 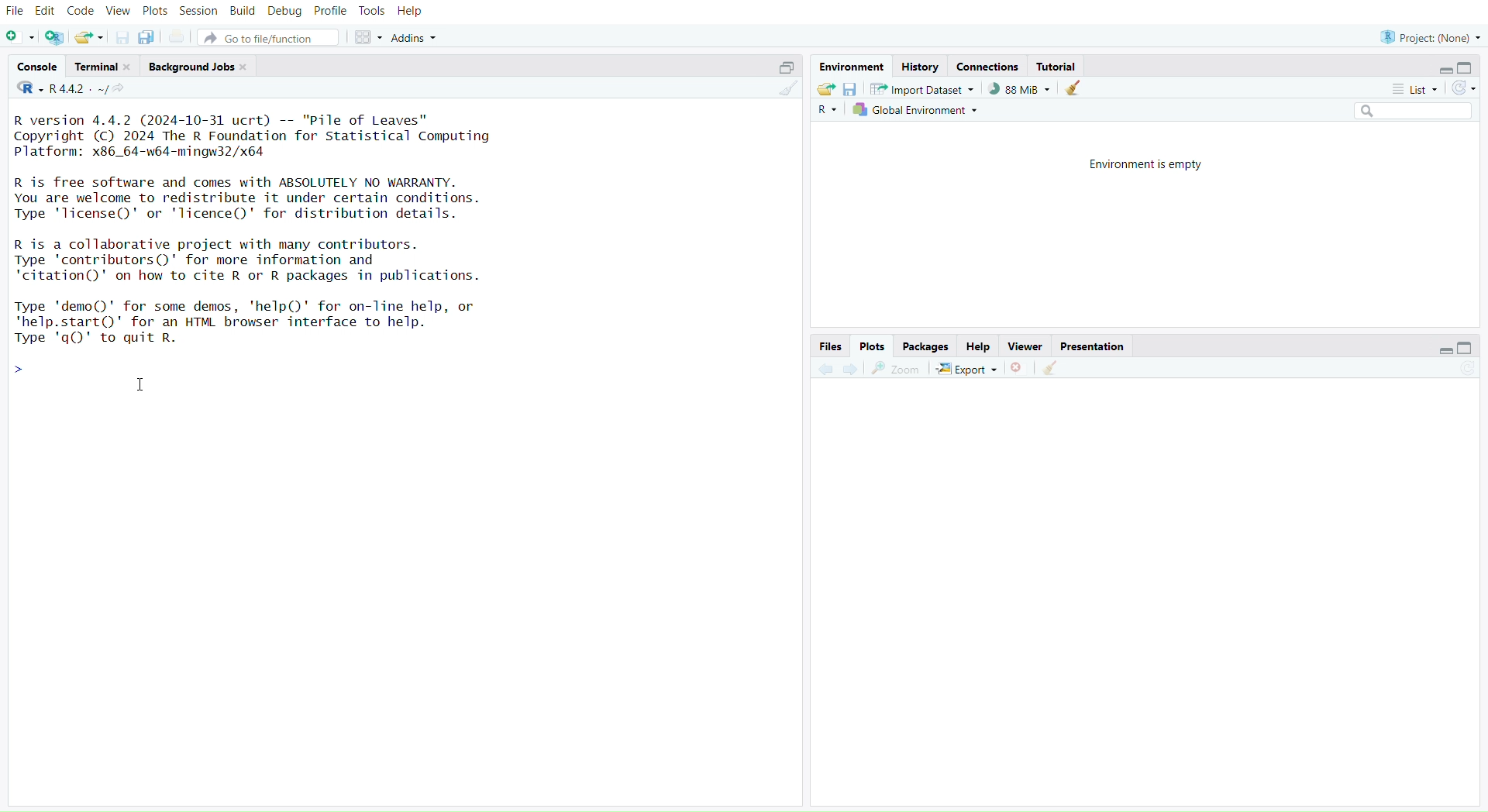 What do you see at coordinates (122, 39) in the screenshot?
I see `save current document` at bounding box center [122, 39].